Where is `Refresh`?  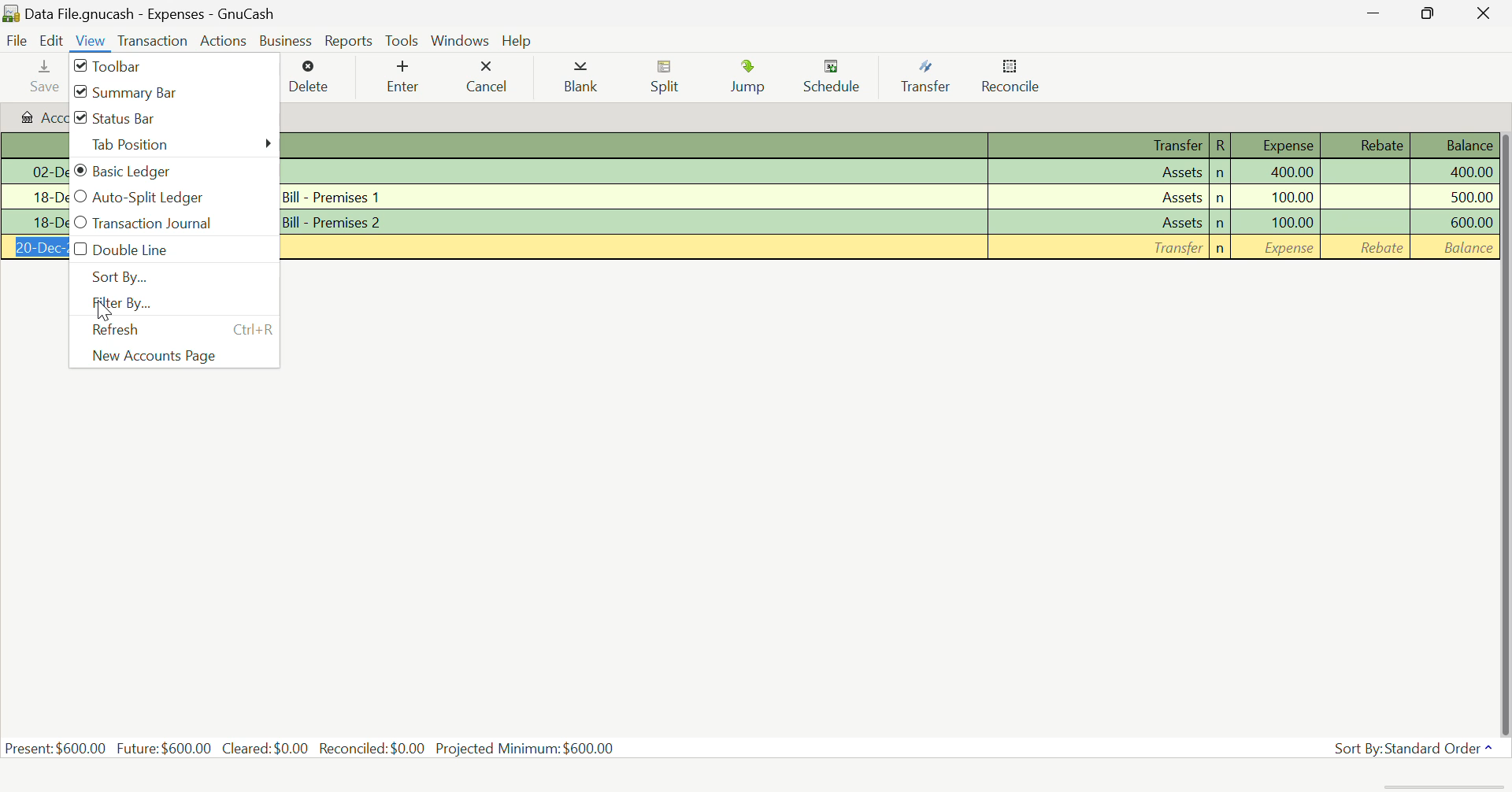
Refresh is located at coordinates (173, 329).